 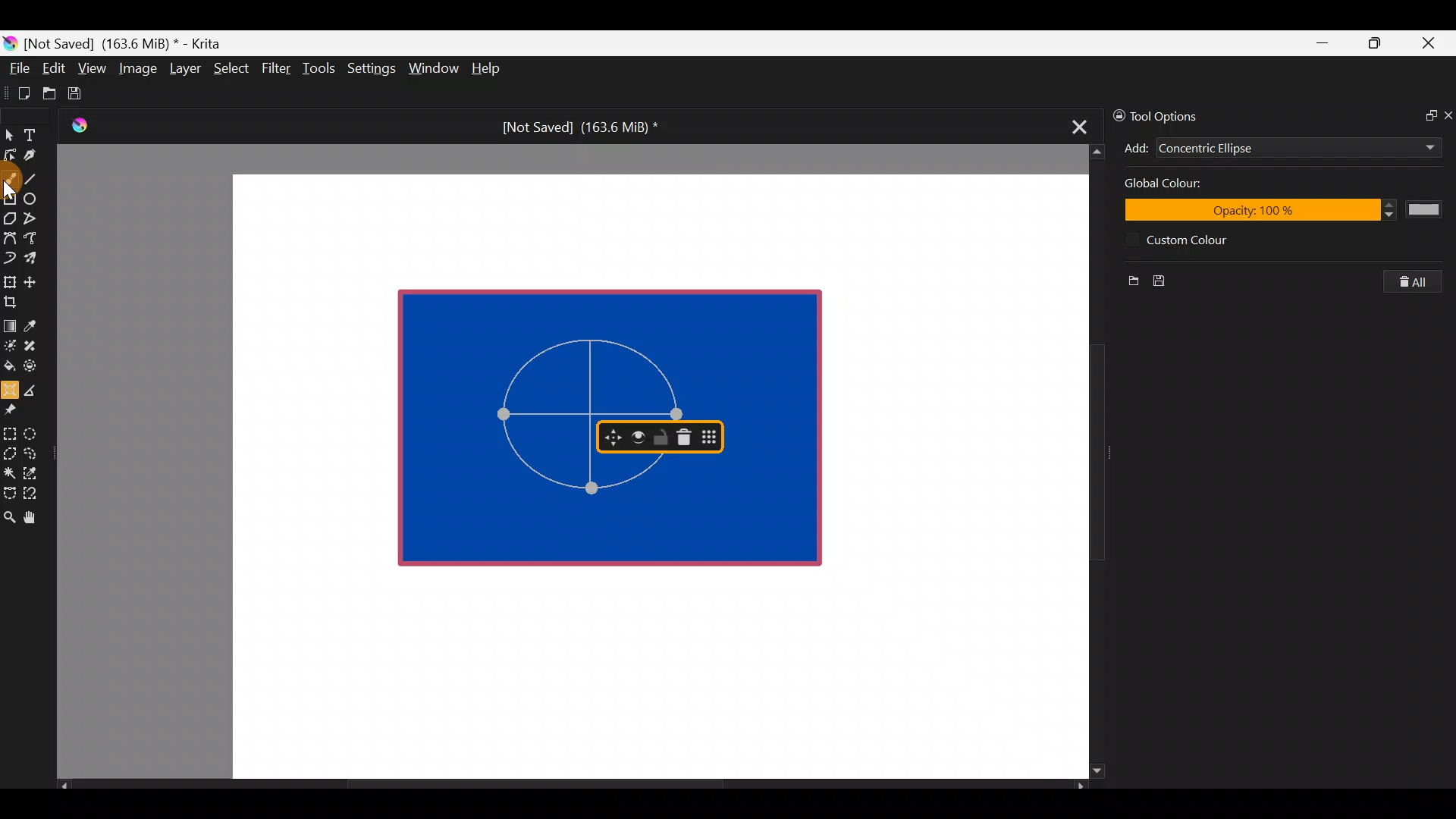 I want to click on Freehand brush tool, so click(x=10, y=173).